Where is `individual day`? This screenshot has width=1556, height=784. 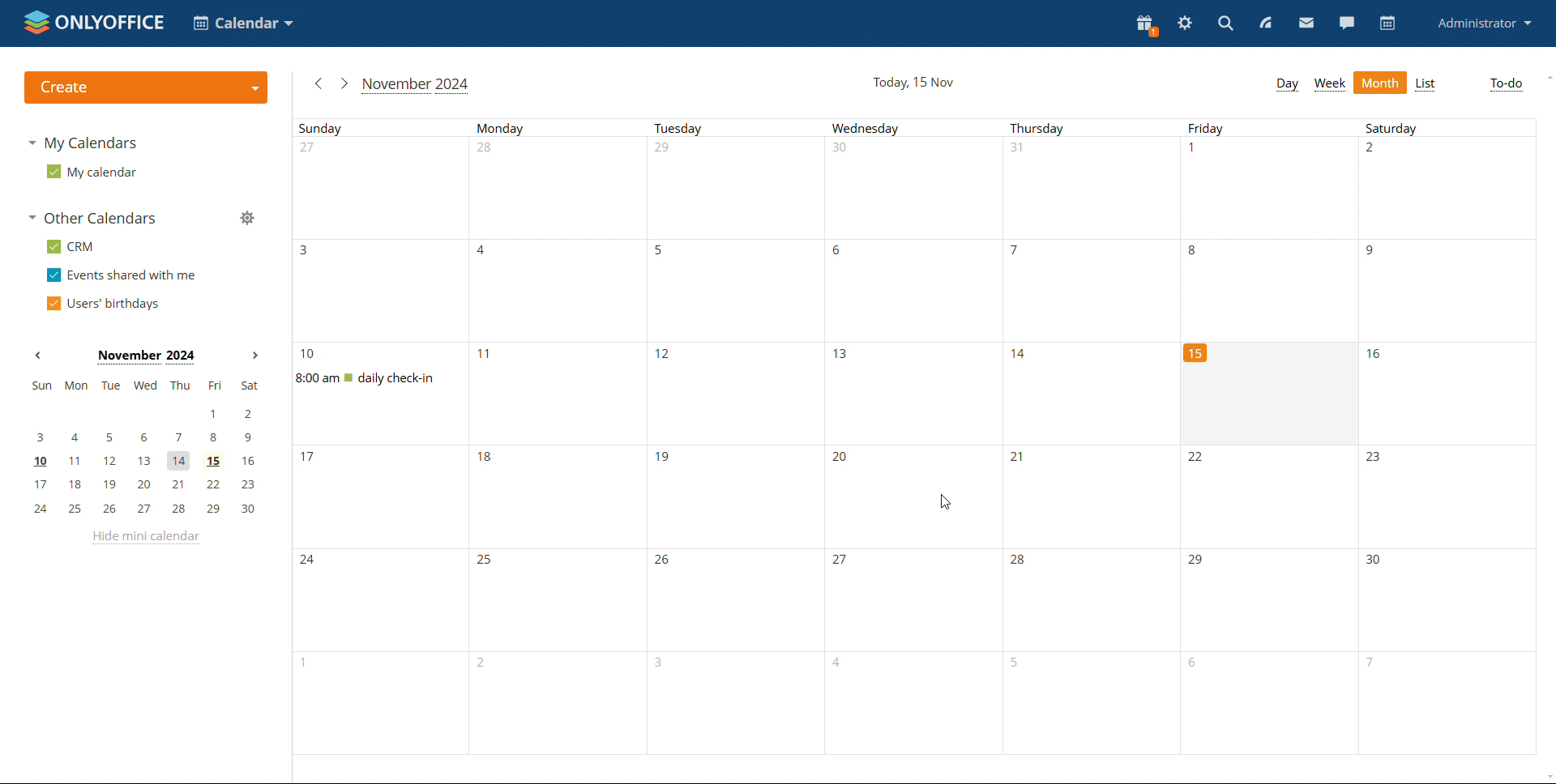 individual day is located at coordinates (737, 128).